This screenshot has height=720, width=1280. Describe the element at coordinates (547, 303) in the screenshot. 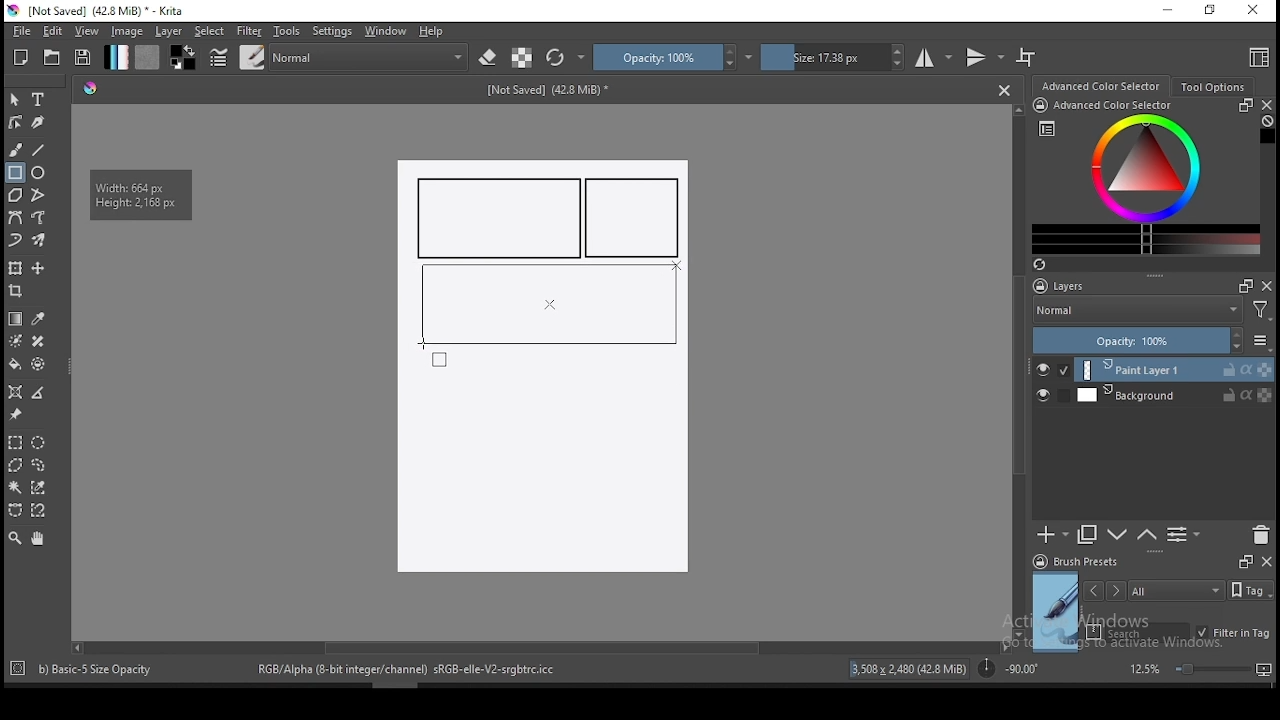

I see `active rectangle` at that location.